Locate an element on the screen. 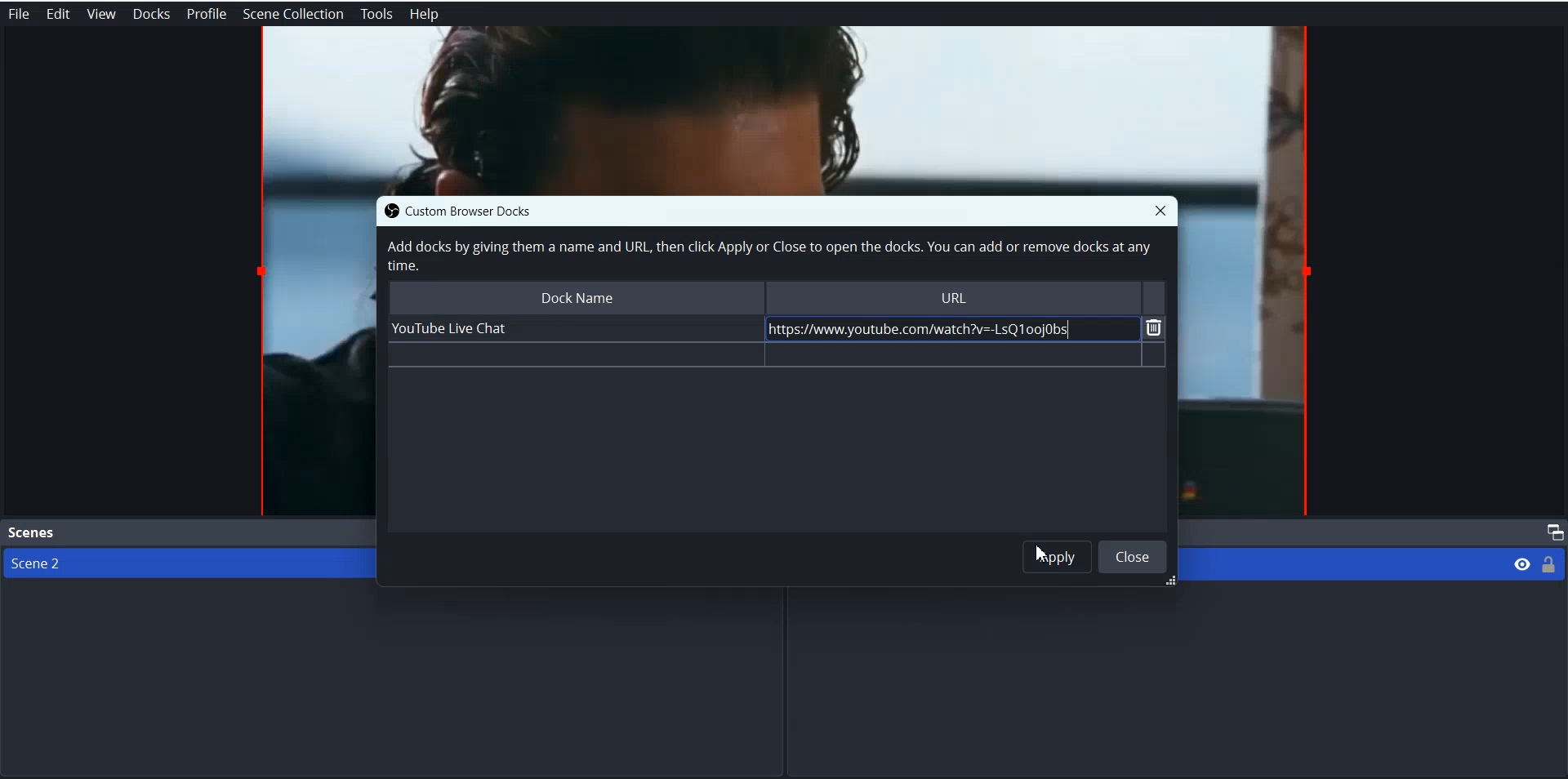 This screenshot has width=1568, height=779. Custom Browser Docks is located at coordinates (484, 210).